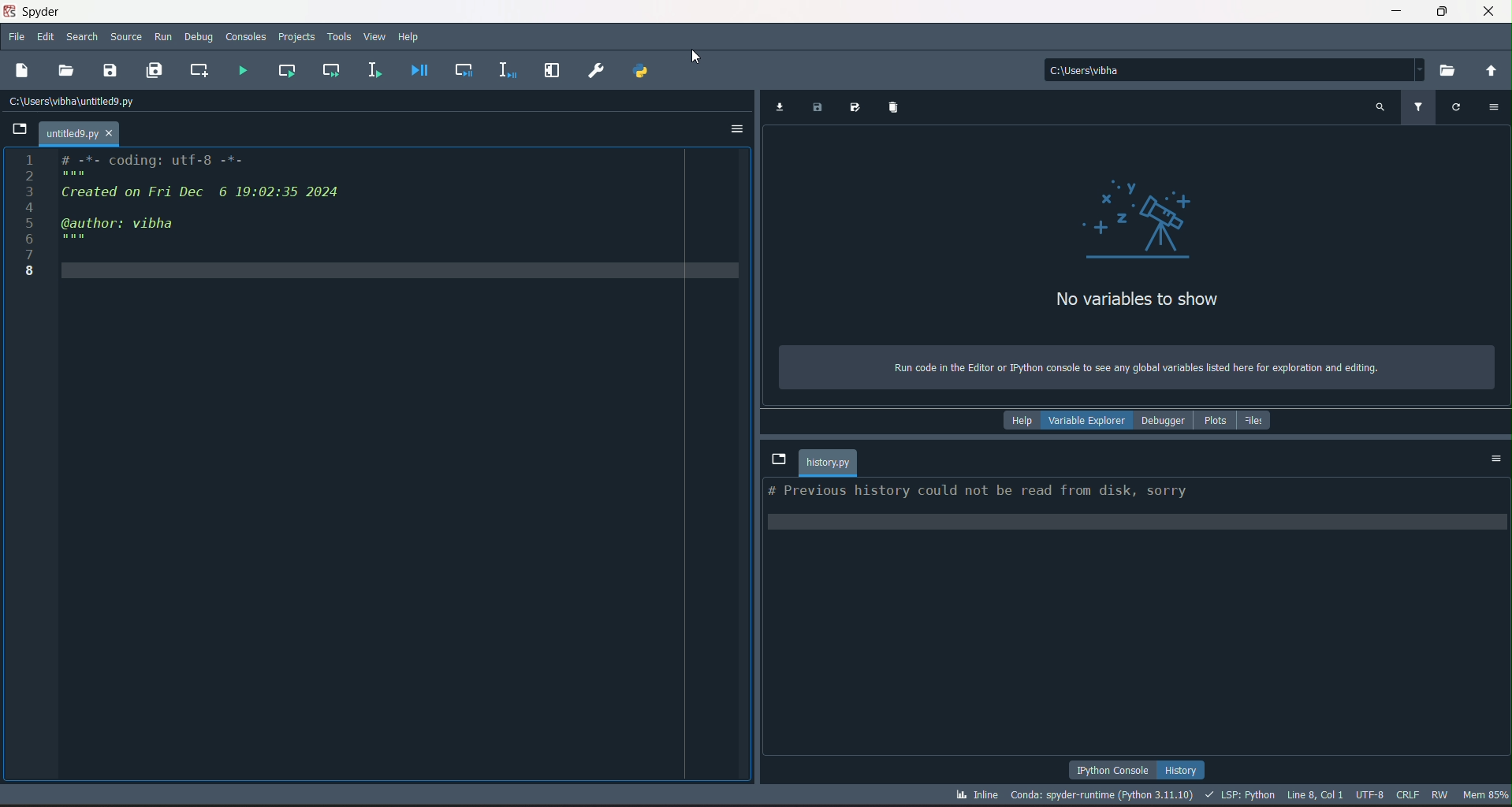 This screenshot has width=1512, height=807. Describe the element at coordinates (377, 72) in the screenshot. I see `run selection` at that location.